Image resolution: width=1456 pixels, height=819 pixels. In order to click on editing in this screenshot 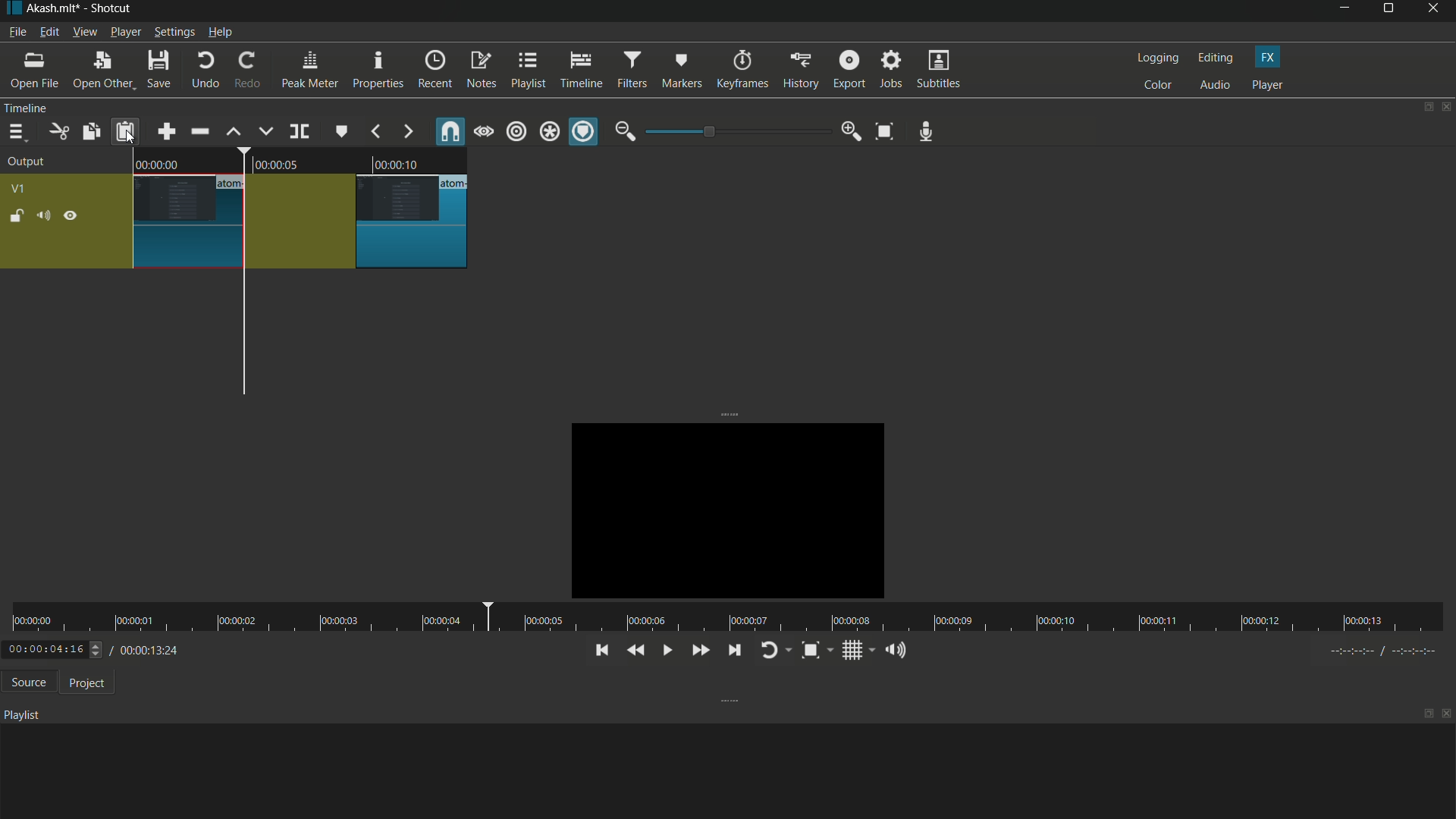, I will do `click(1214, 58)`.